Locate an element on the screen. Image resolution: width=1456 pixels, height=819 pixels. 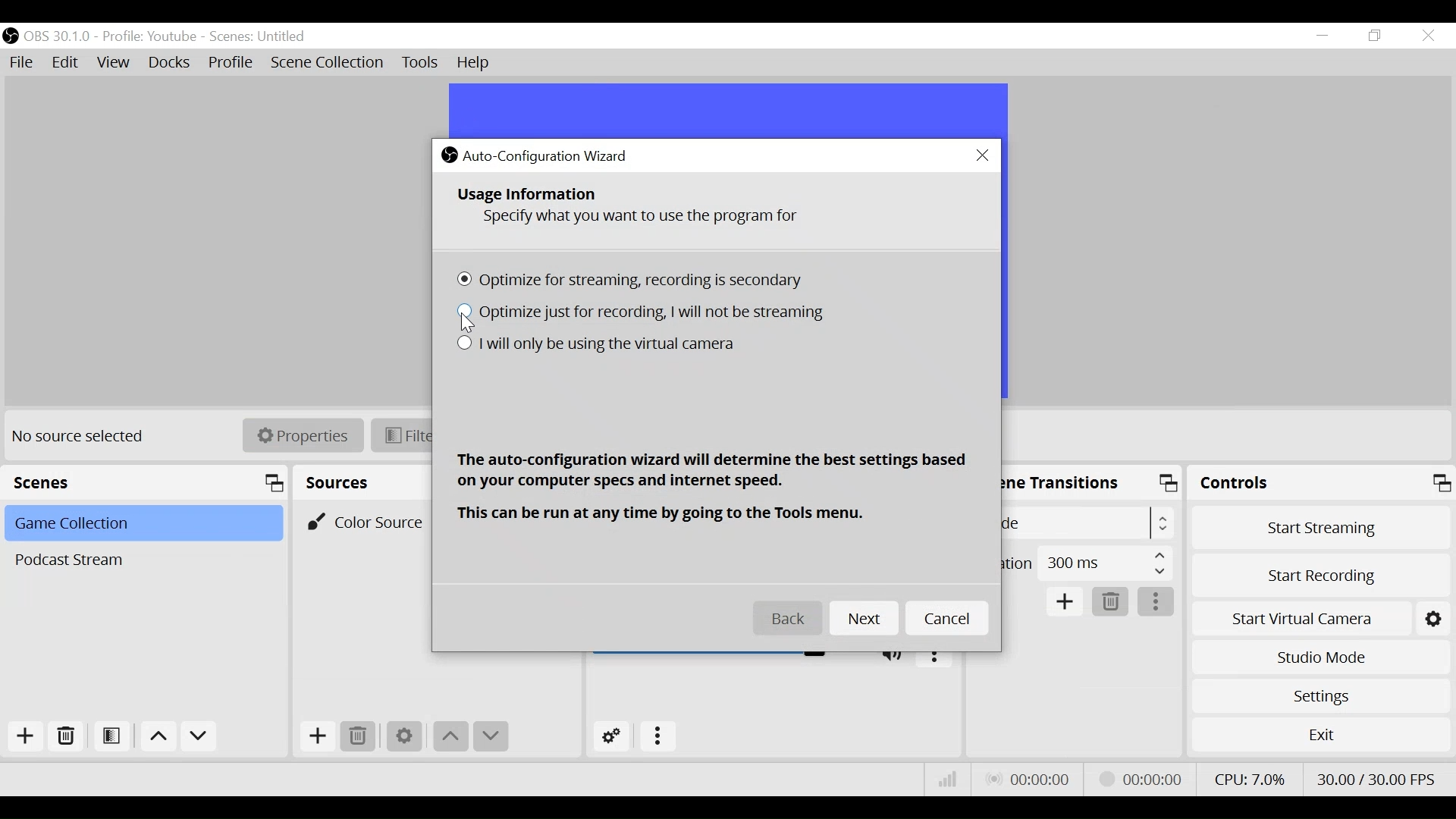
OBS Version is located at coordinates (58, 37).